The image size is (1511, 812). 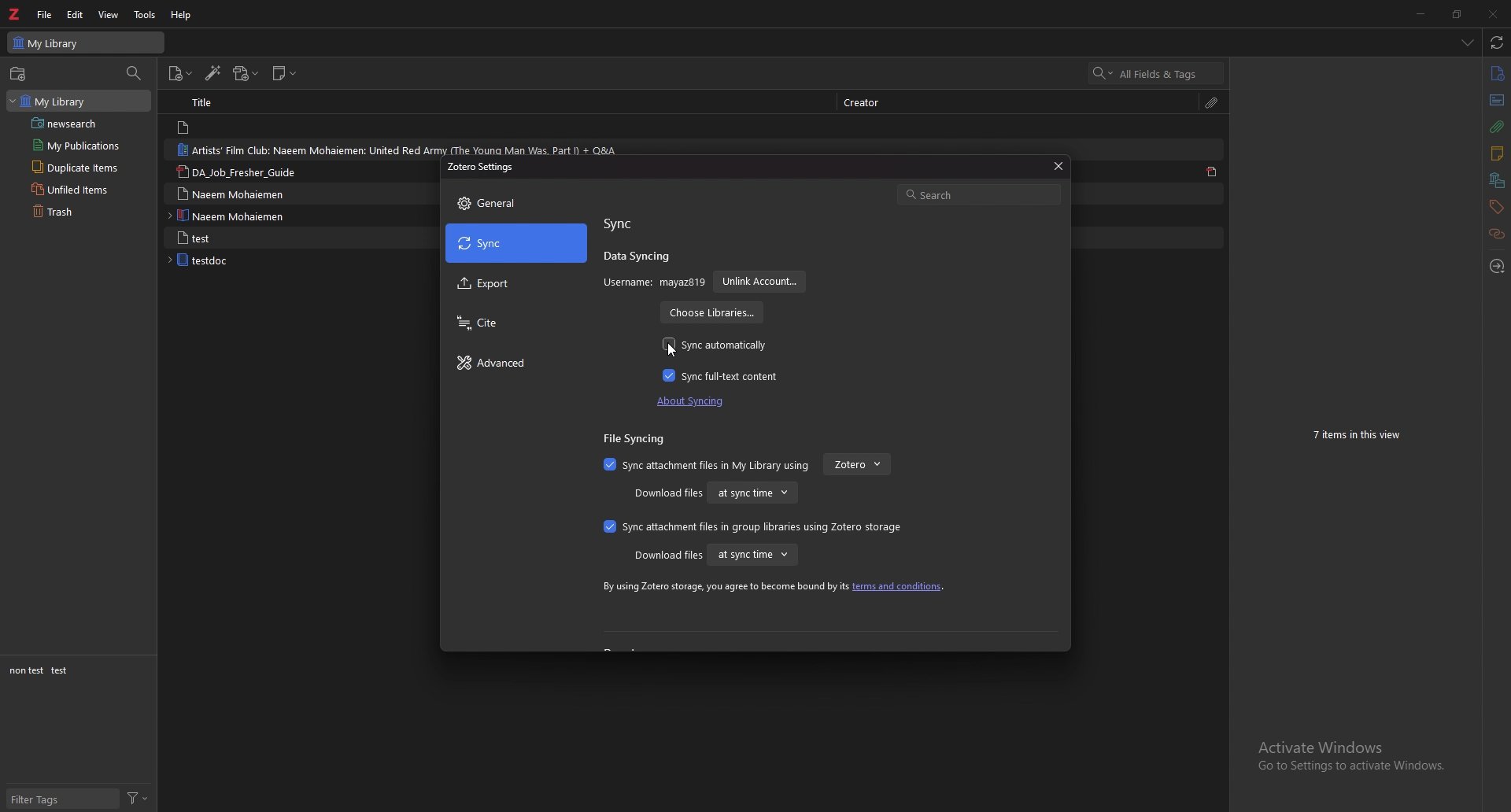 I want to click on filter, so click(x=137, y=797).